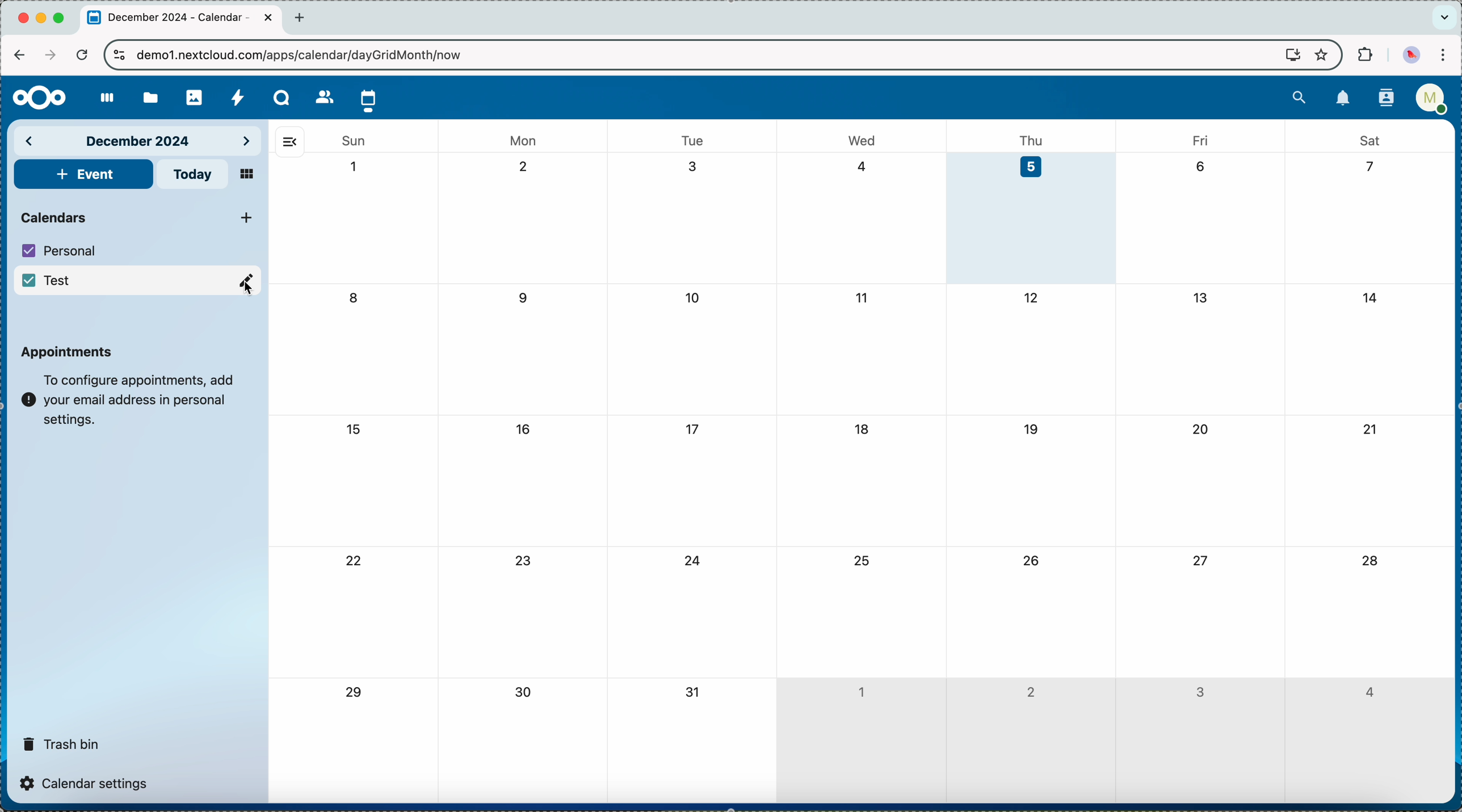 This screenshot has width=1462, height=812. What do you see at coordinates (526, 560) in the screenshot?
I see `23` at bounding box center [526, 560].